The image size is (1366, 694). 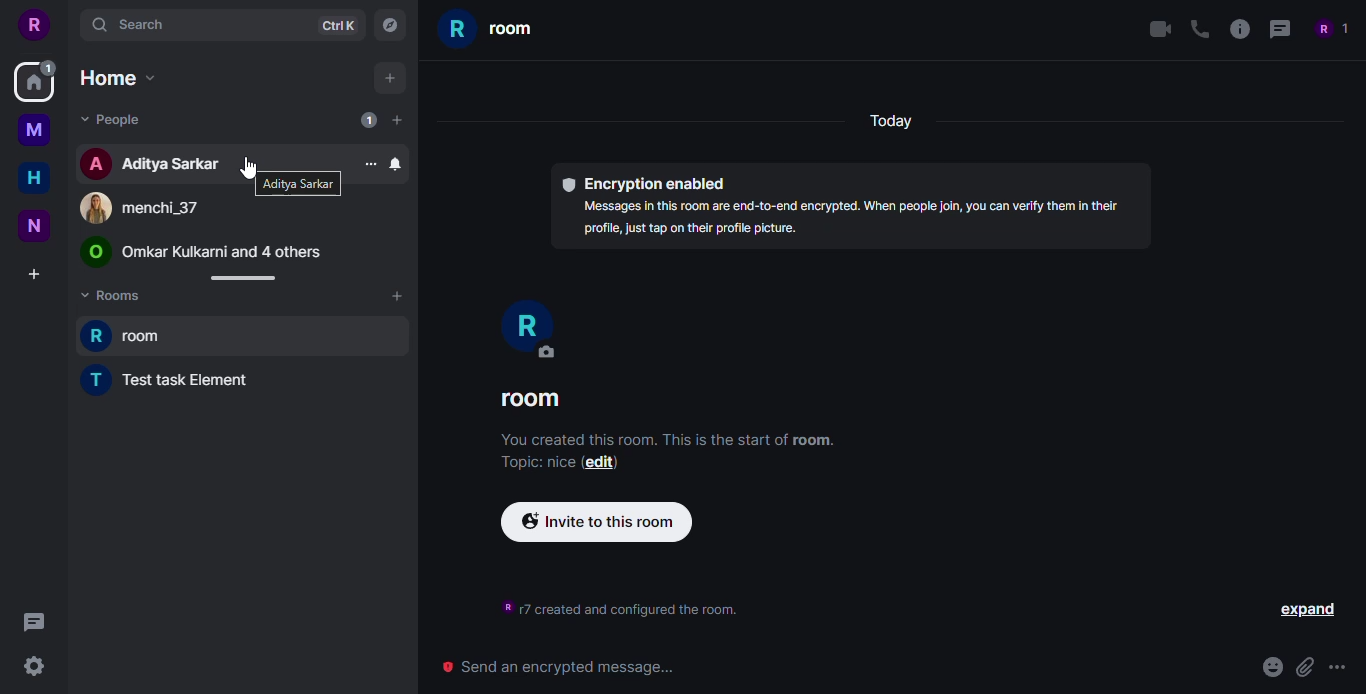 What do you see at coordinates (596, 522) in the screenshot?
I see `invite to this room` at bounding box center [596, 522].